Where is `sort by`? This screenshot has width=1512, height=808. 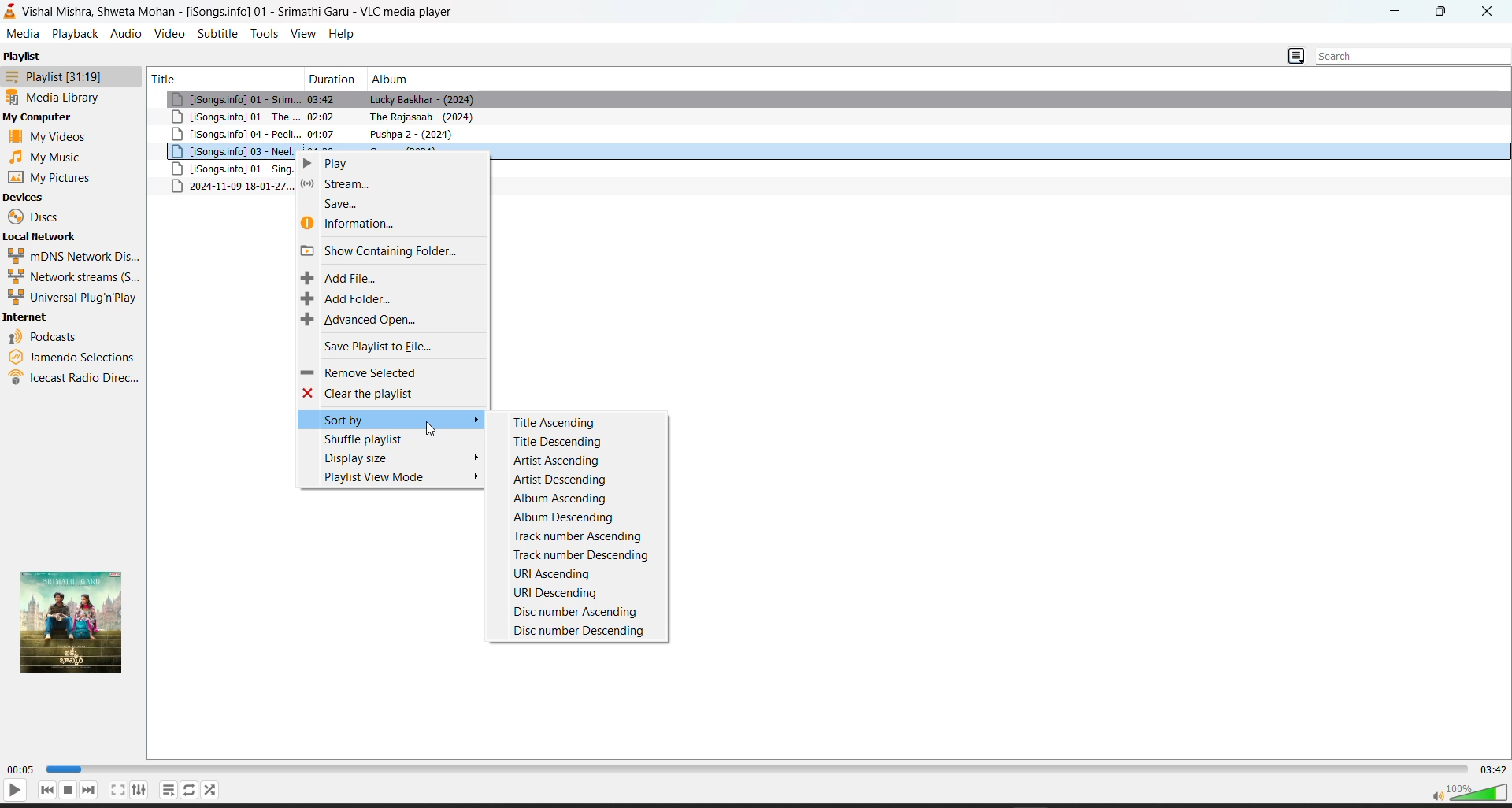
sort by is located at coordinates (391, 420).